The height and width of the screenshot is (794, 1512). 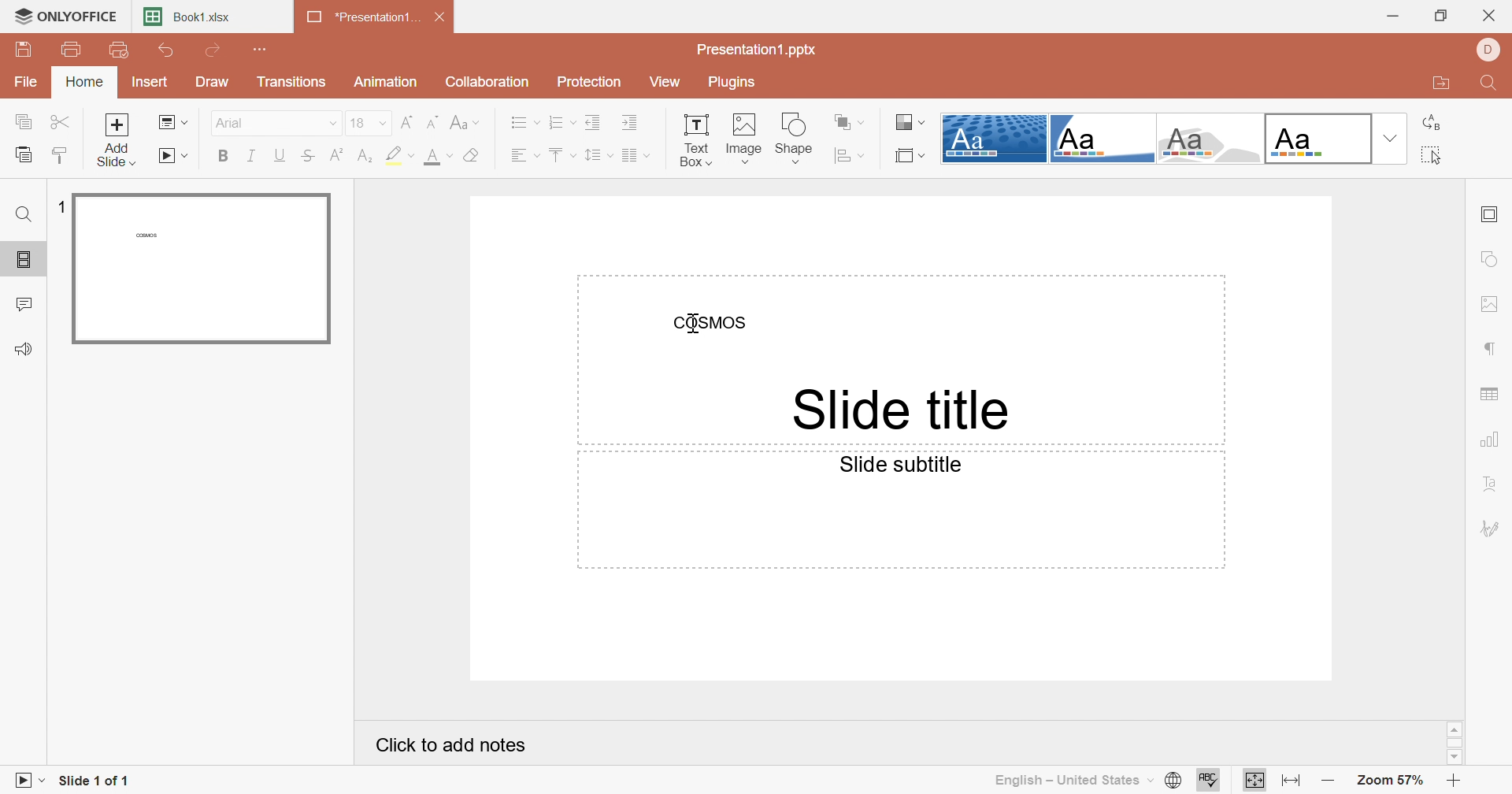 I want to click on Align shape, so click(x=850, y=156).